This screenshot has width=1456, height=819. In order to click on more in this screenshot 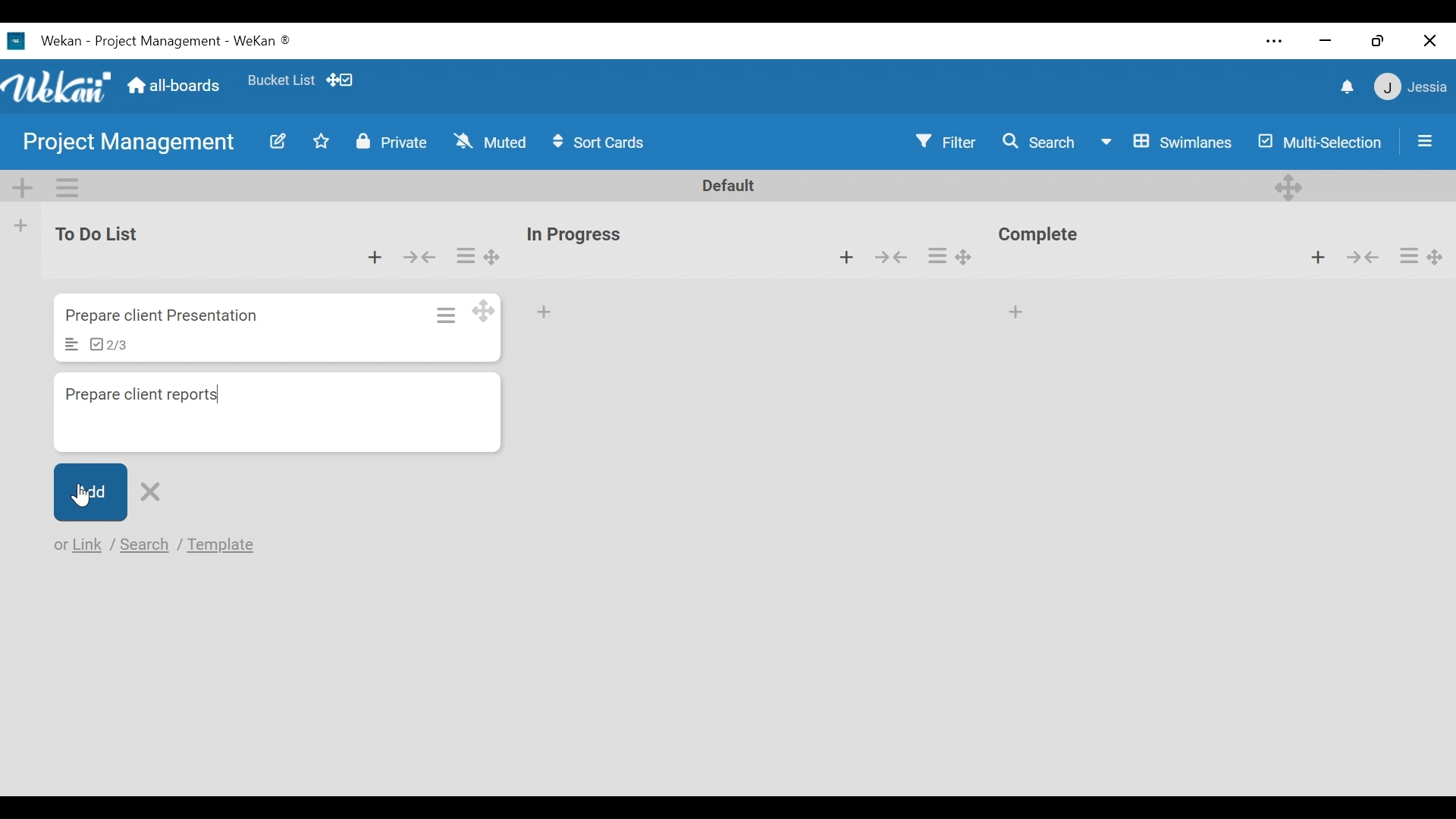, I will do `click(1270, 40)`.